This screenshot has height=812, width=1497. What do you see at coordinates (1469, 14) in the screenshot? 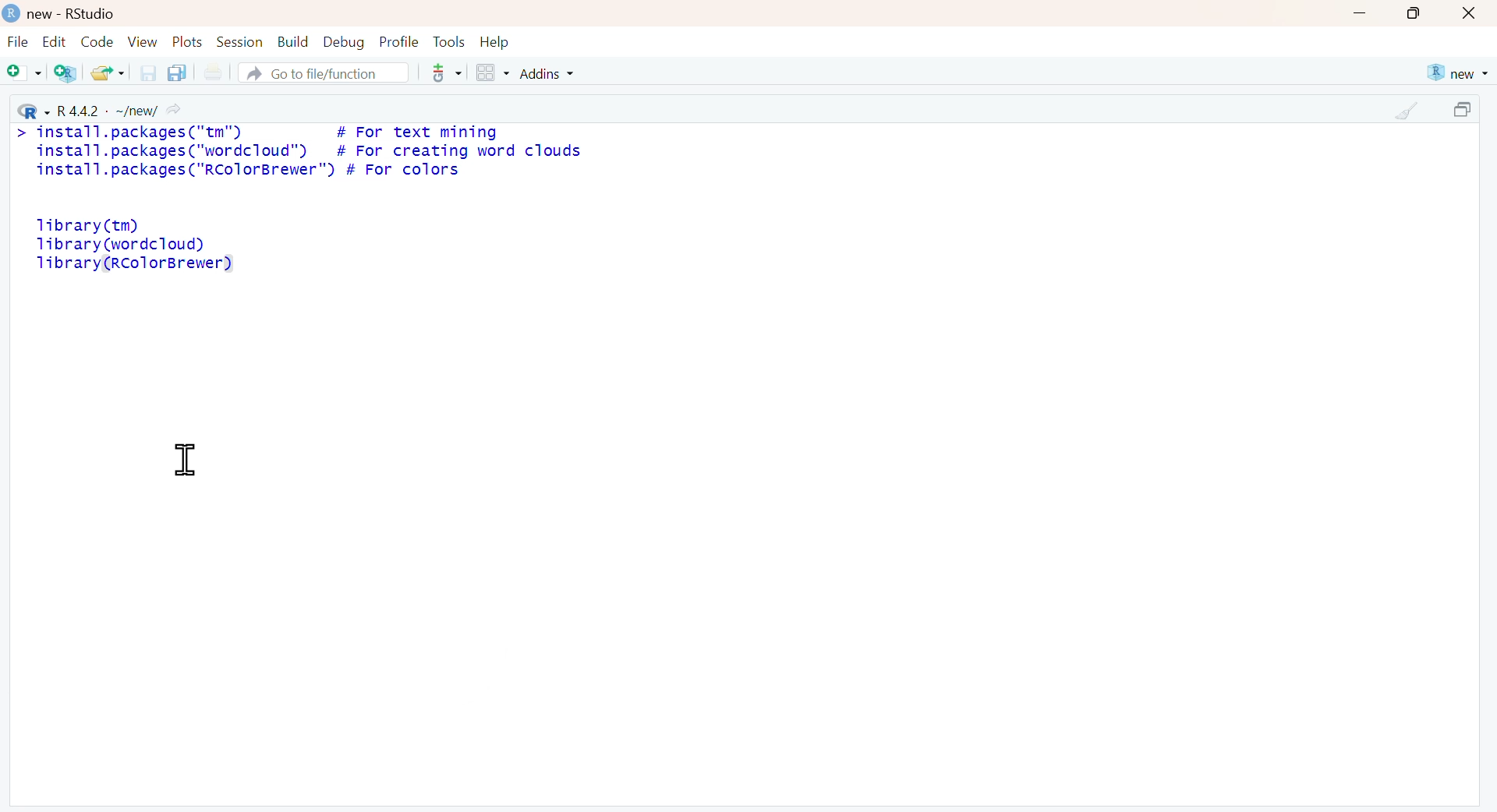
I see `close` at bounding box center [1469, 14].